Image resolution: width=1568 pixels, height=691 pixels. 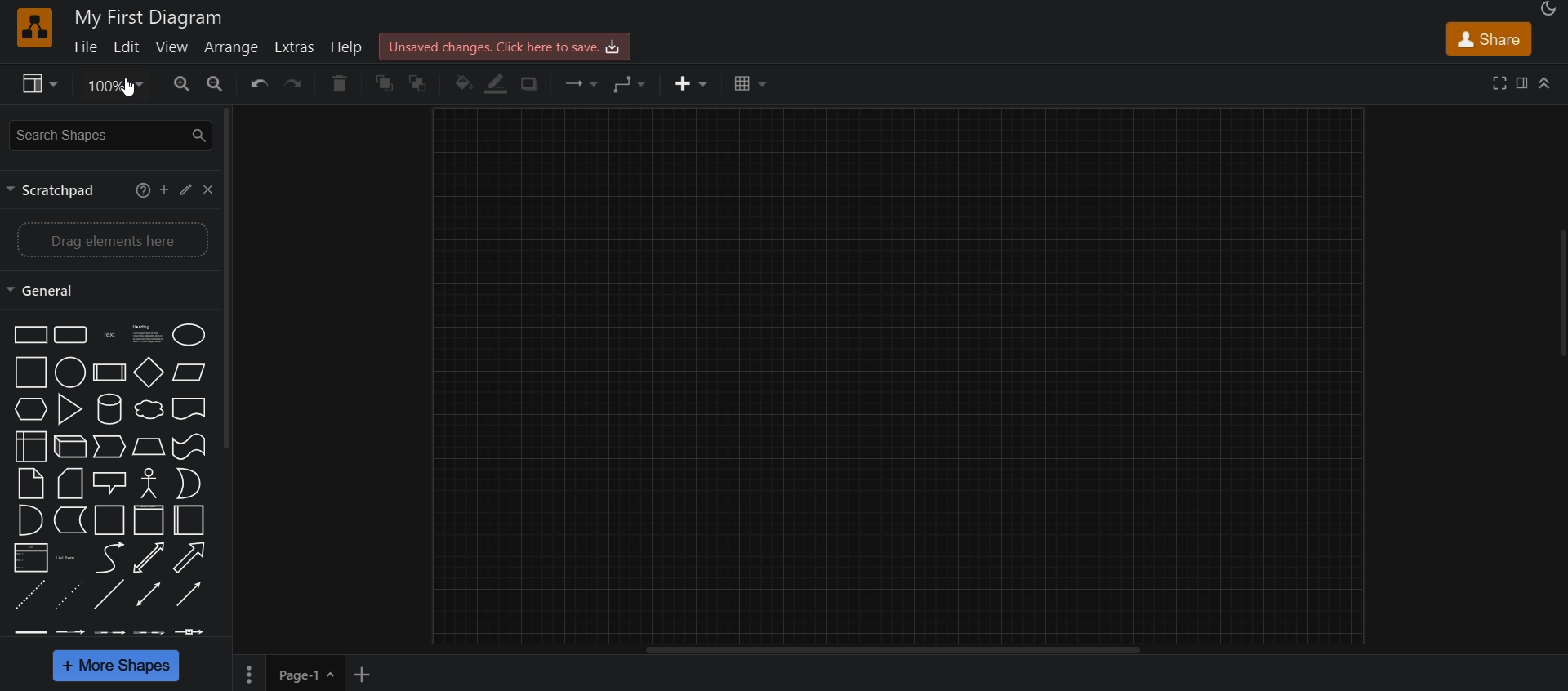 I want to click on page 1, so click(x=287, y=673).